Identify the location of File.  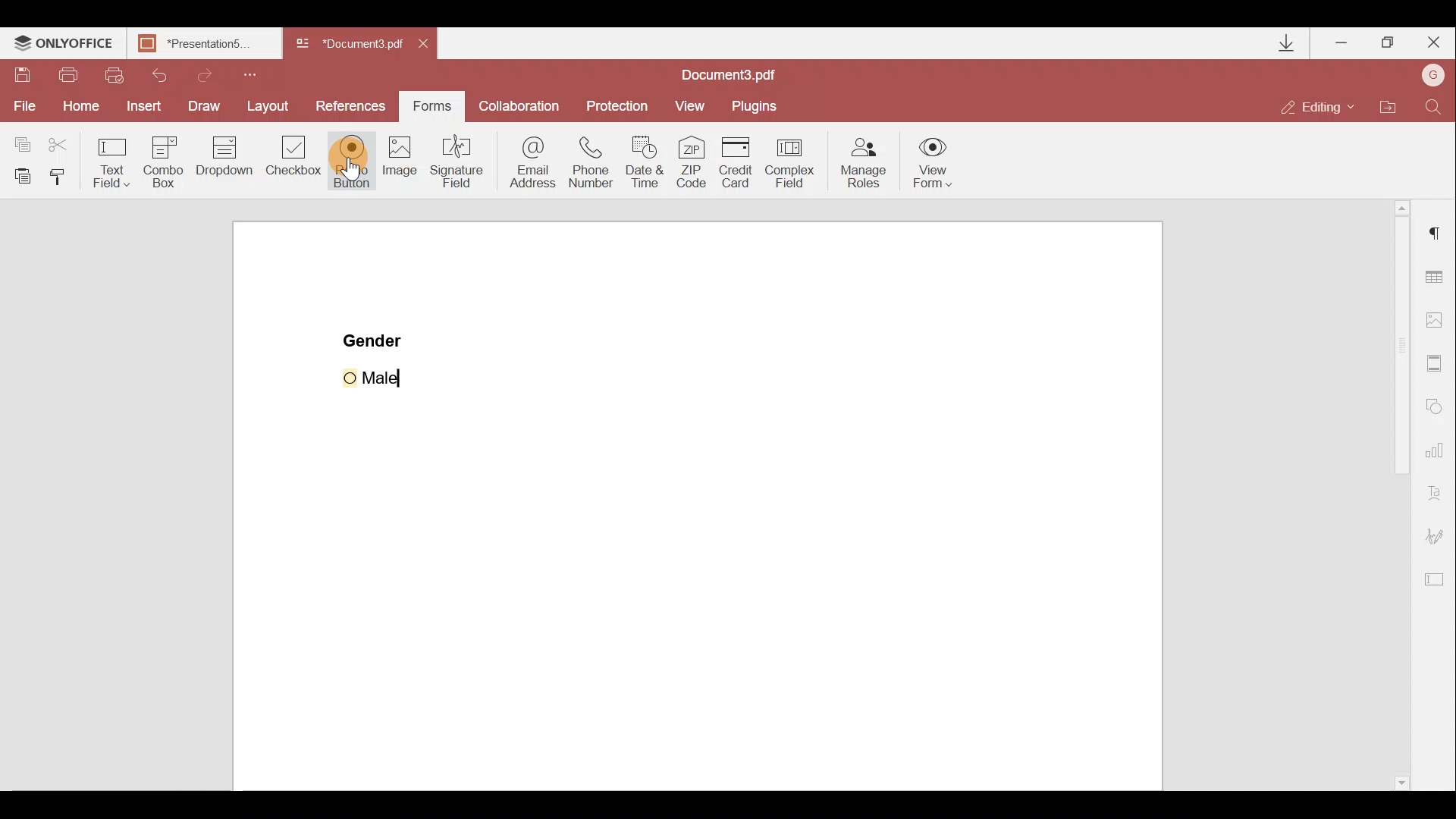
(21, 107).